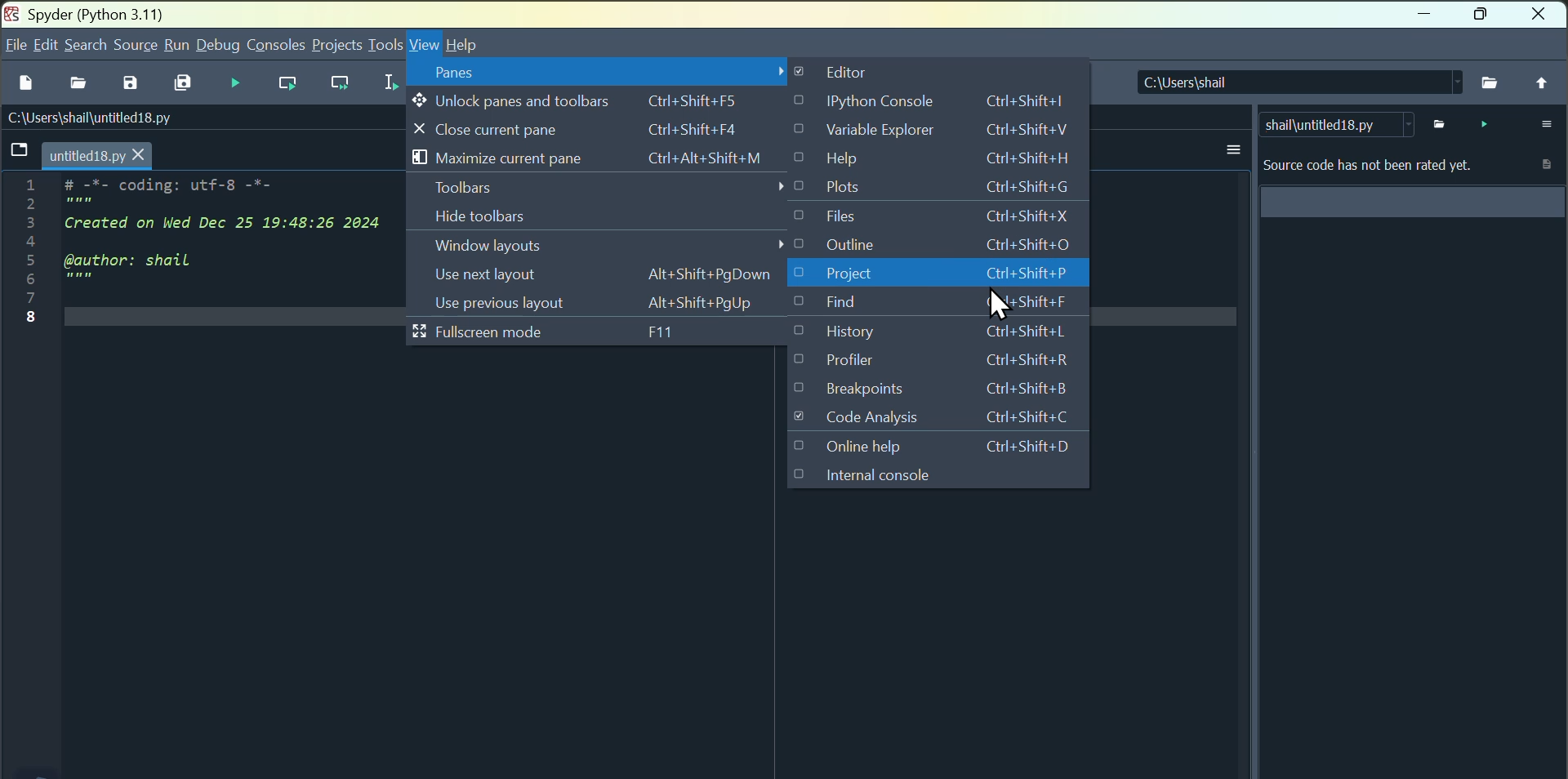 The width and height of the screenshot is (1568, 779). I want to click on Windows layouts, so click(506, 247).